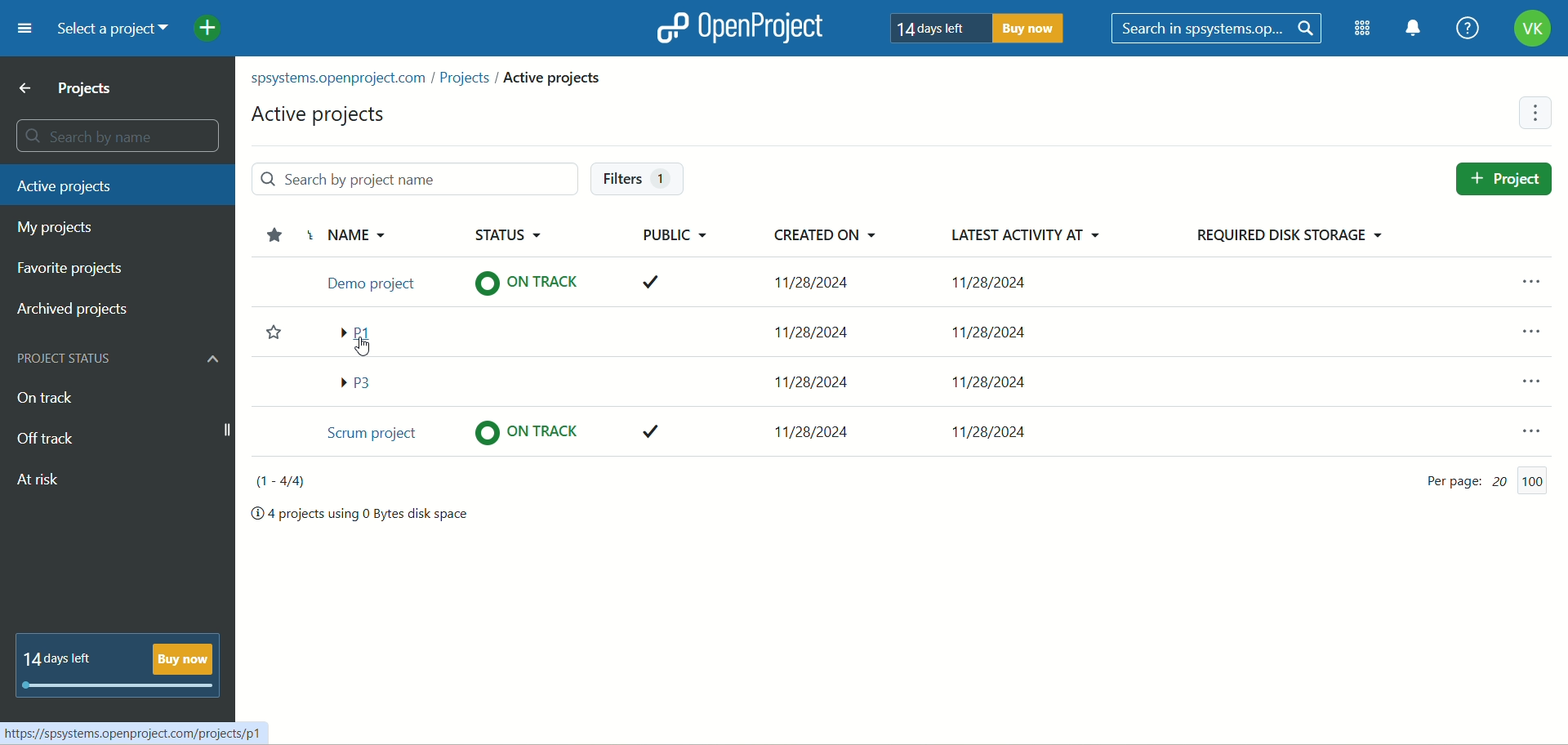 Image resolution: width=1568 pixels, height=745 pixels. I want to click on mark favorite, so click(267, 337).